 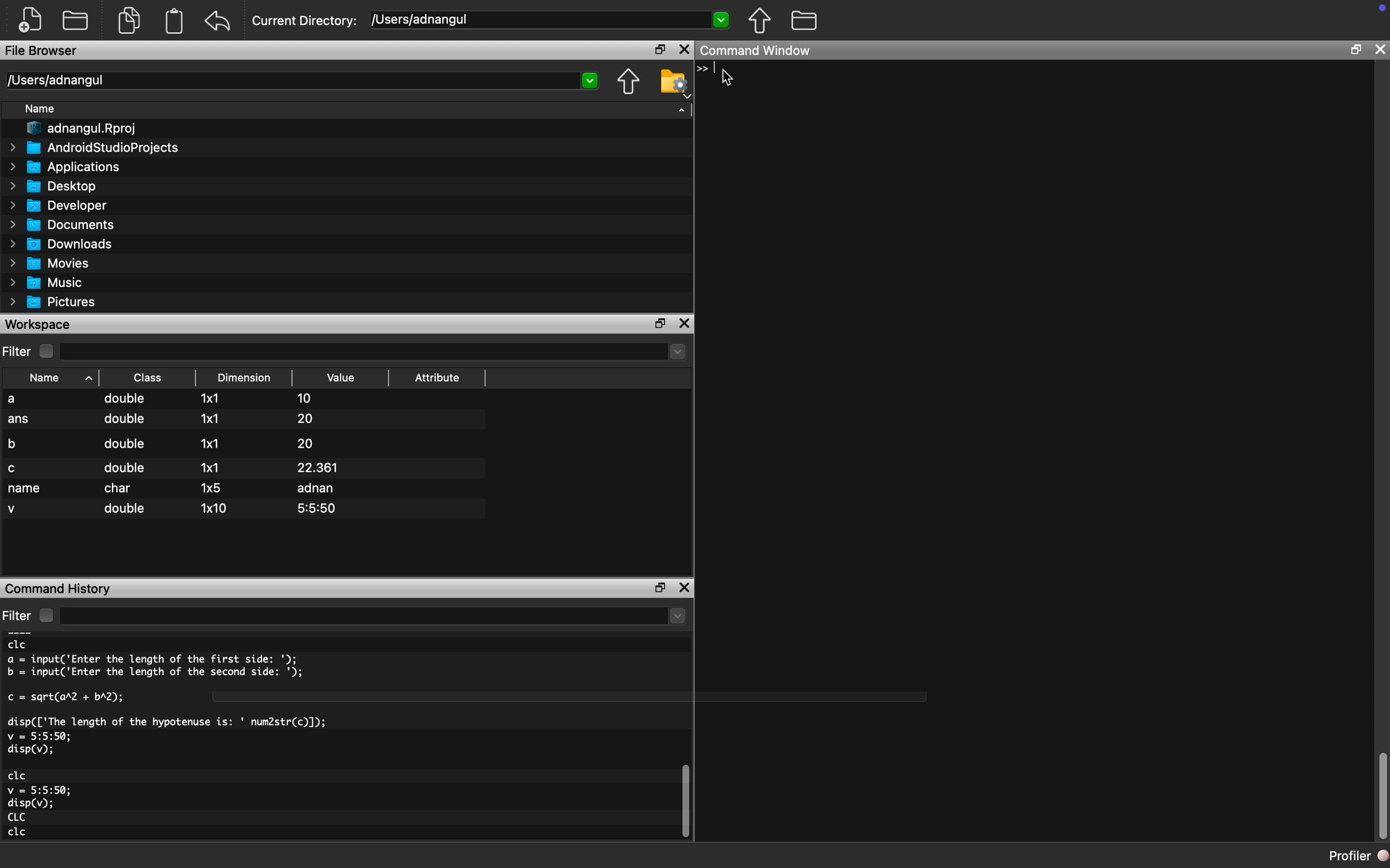 I want to click on > Music, so click(x=46, y=283).